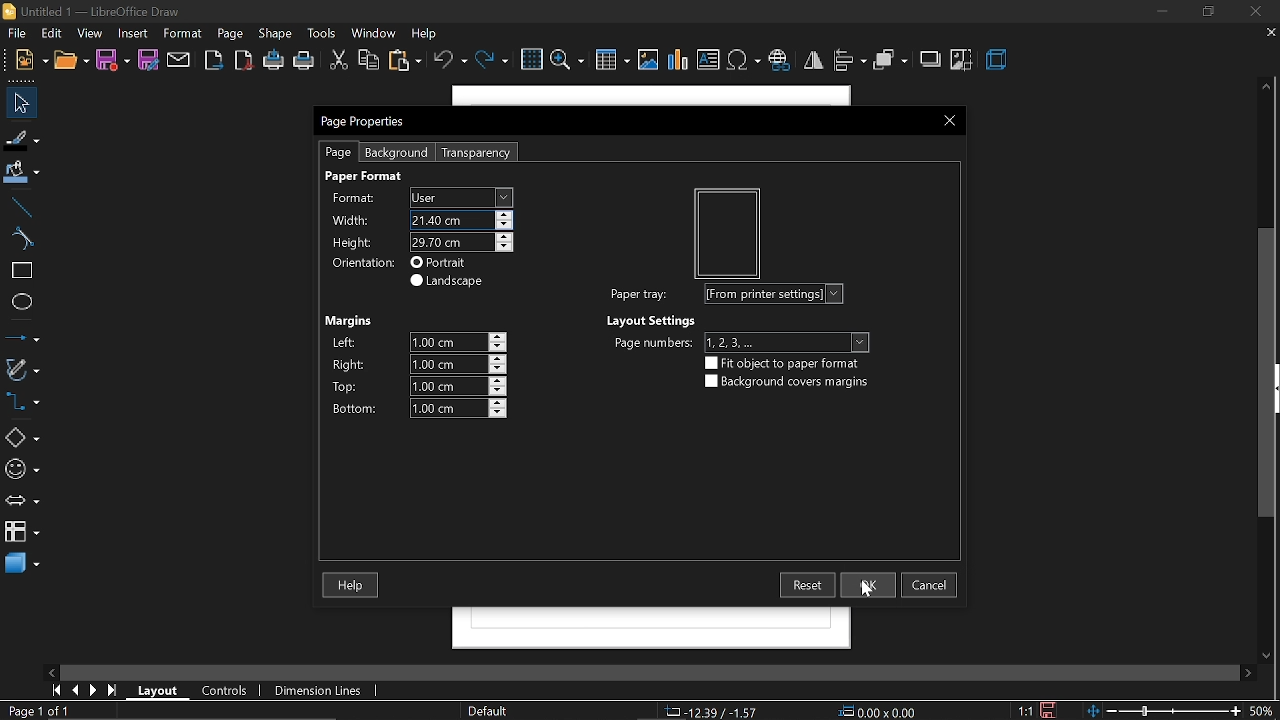  Describe the element at coordinates (114, 691) in the screenshot. I see `go to last page` at that location.